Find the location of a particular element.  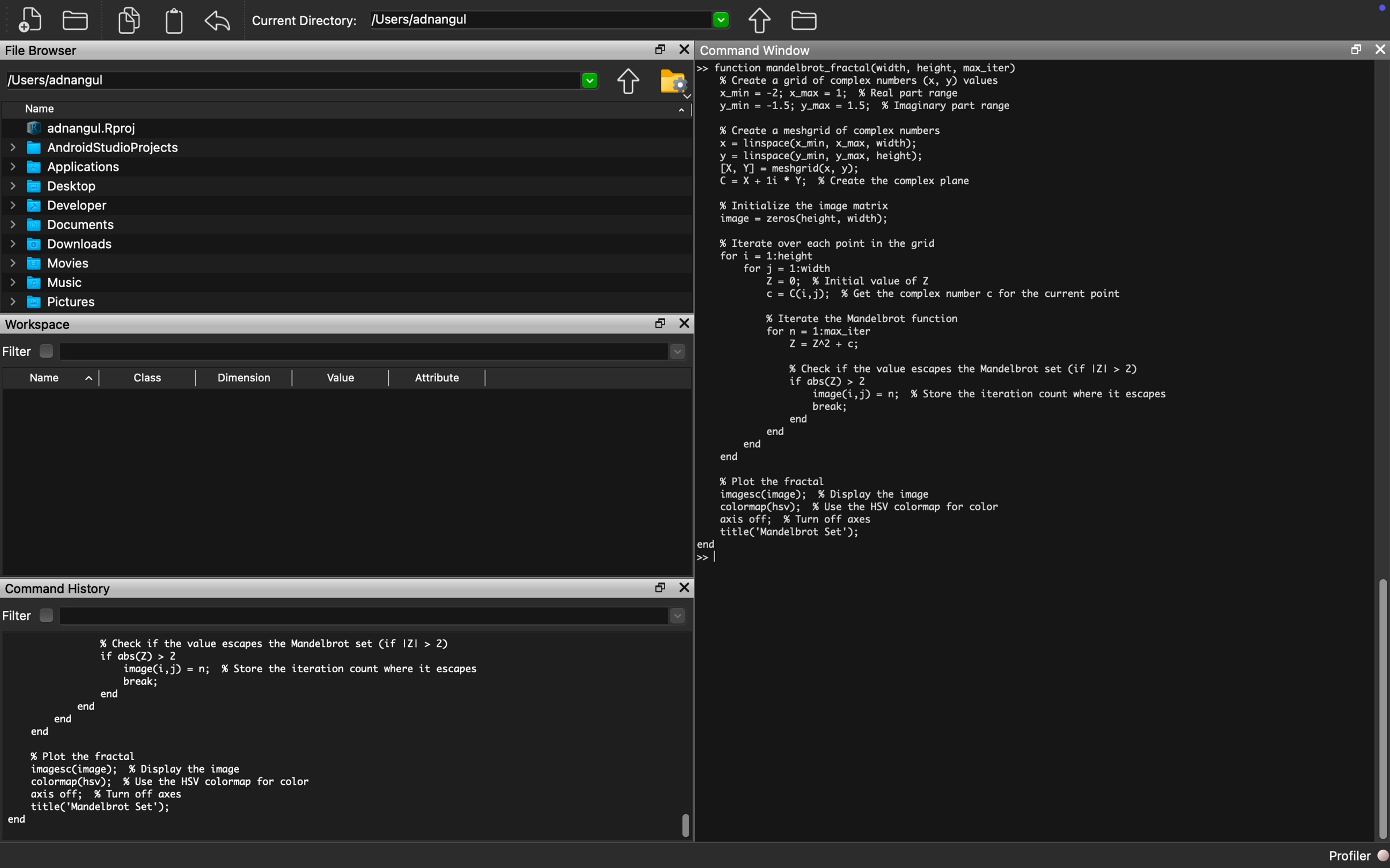

Documents is located at coordinates (63, 226).